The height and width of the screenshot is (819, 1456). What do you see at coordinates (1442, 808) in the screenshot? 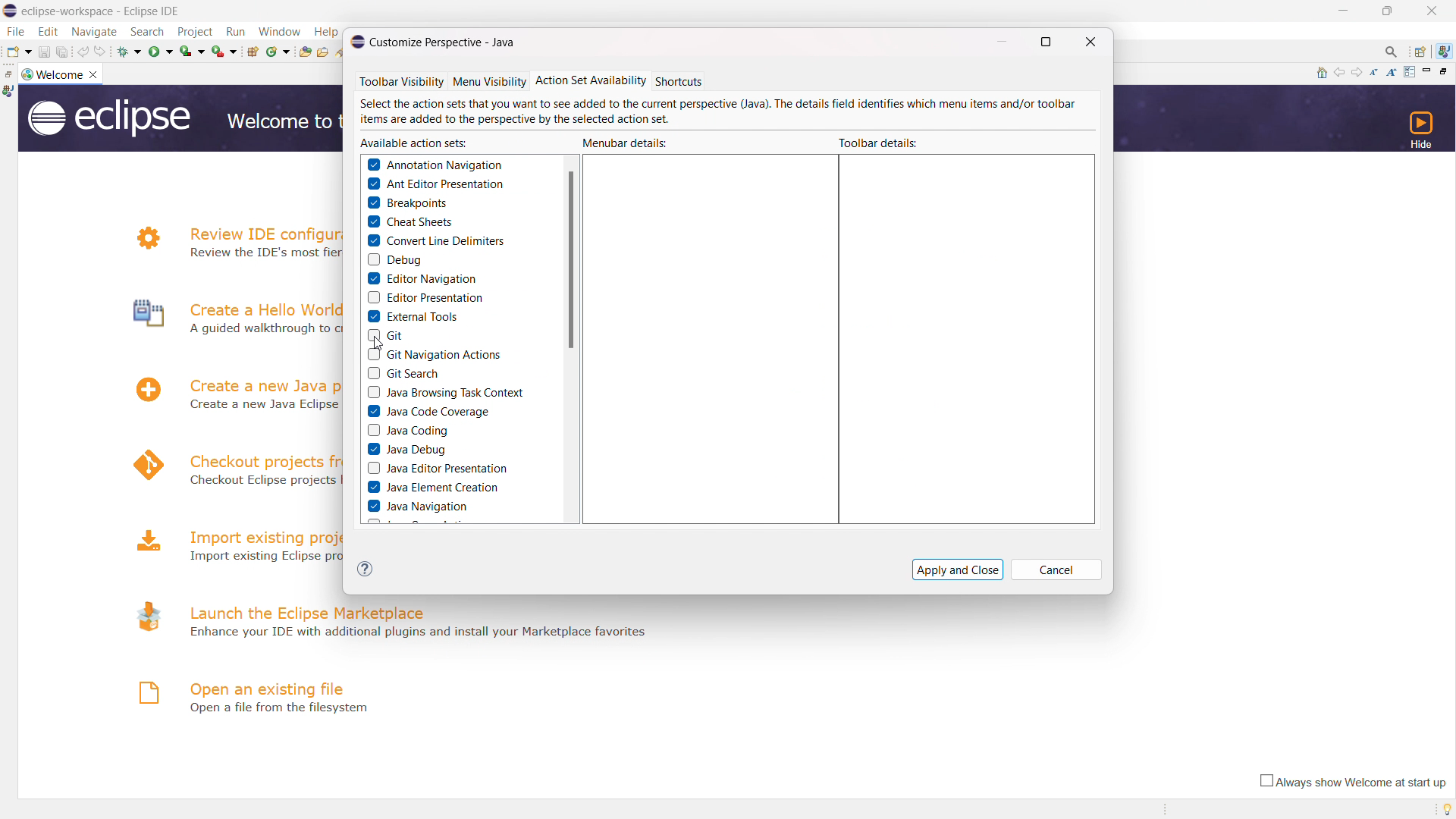
I see `tip of the day` at bounding box center [1442, 808].